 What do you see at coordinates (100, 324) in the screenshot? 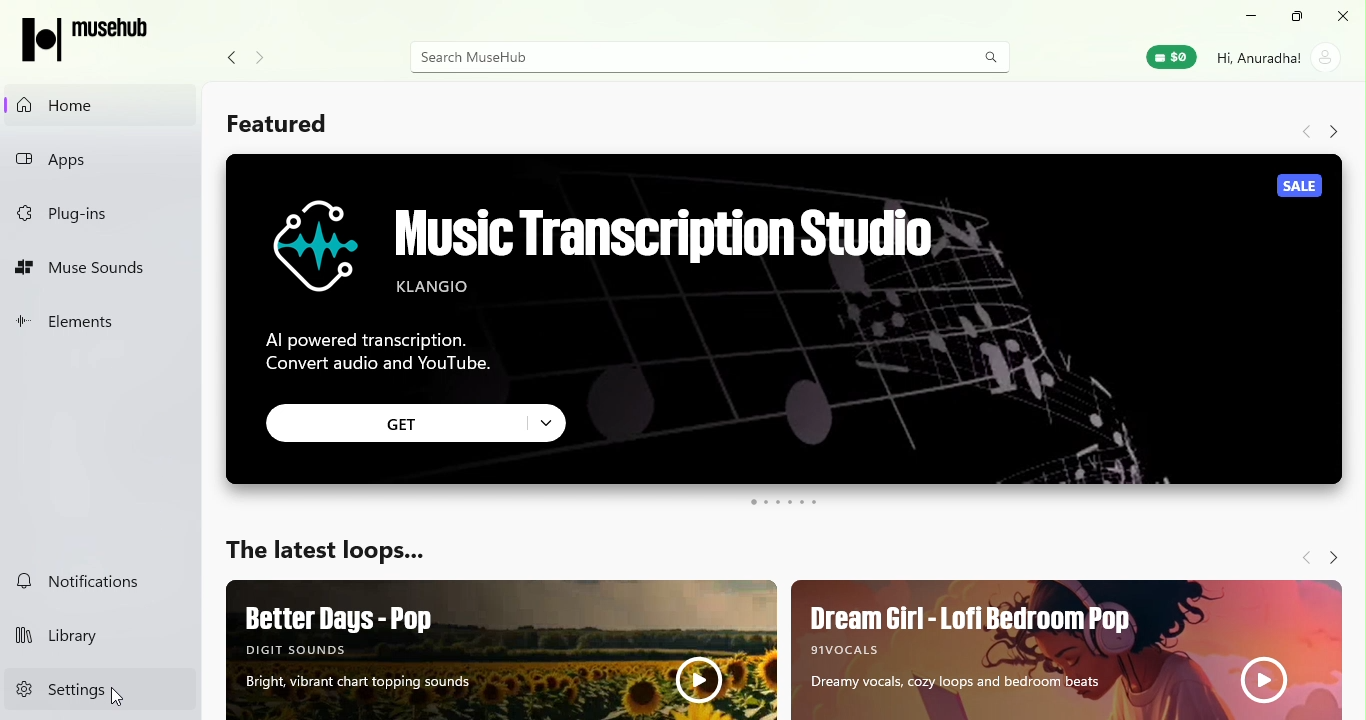
I see `Elements` at bounding box center [100, 324].